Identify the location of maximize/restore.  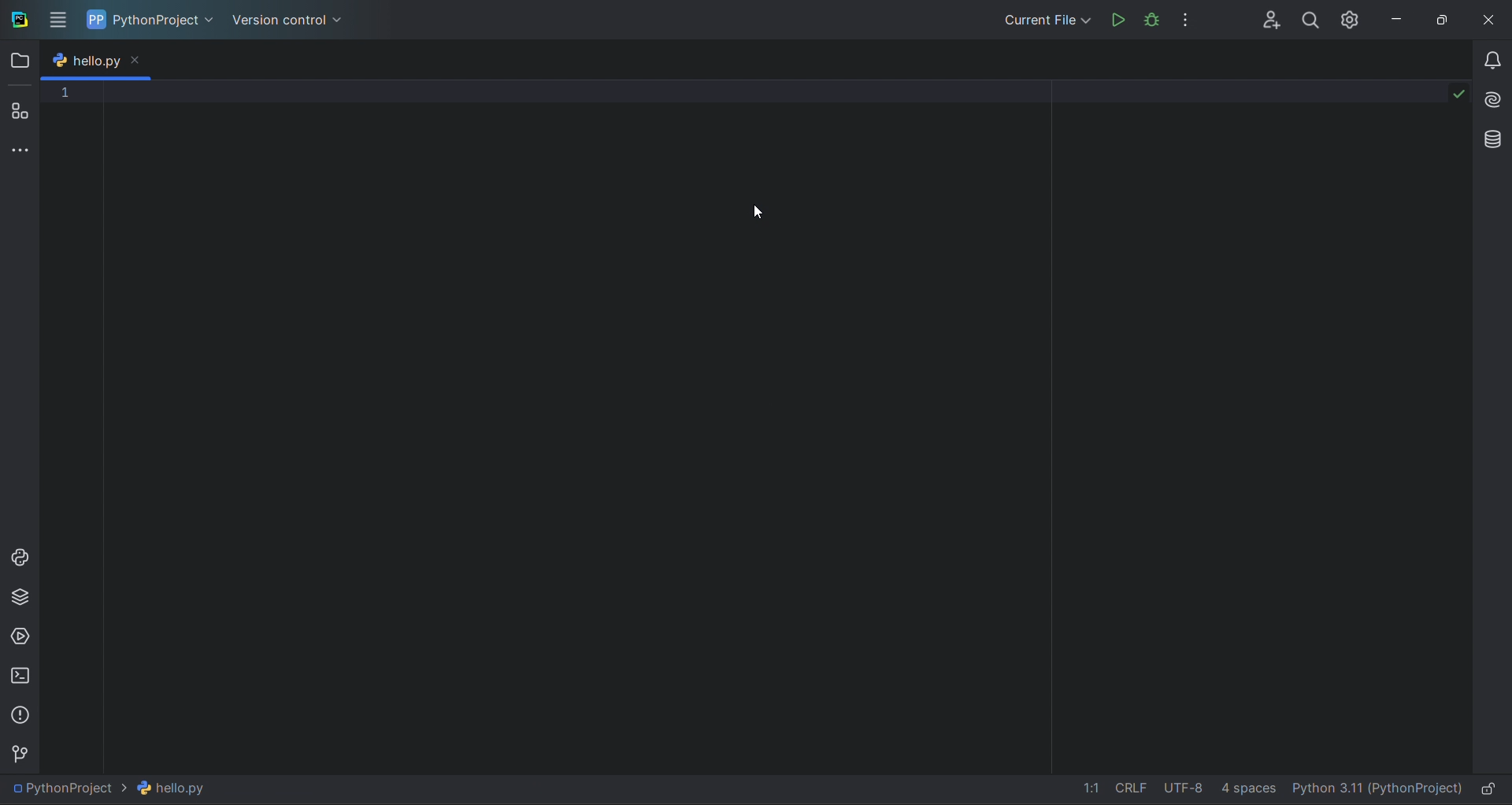
(1447, 17).